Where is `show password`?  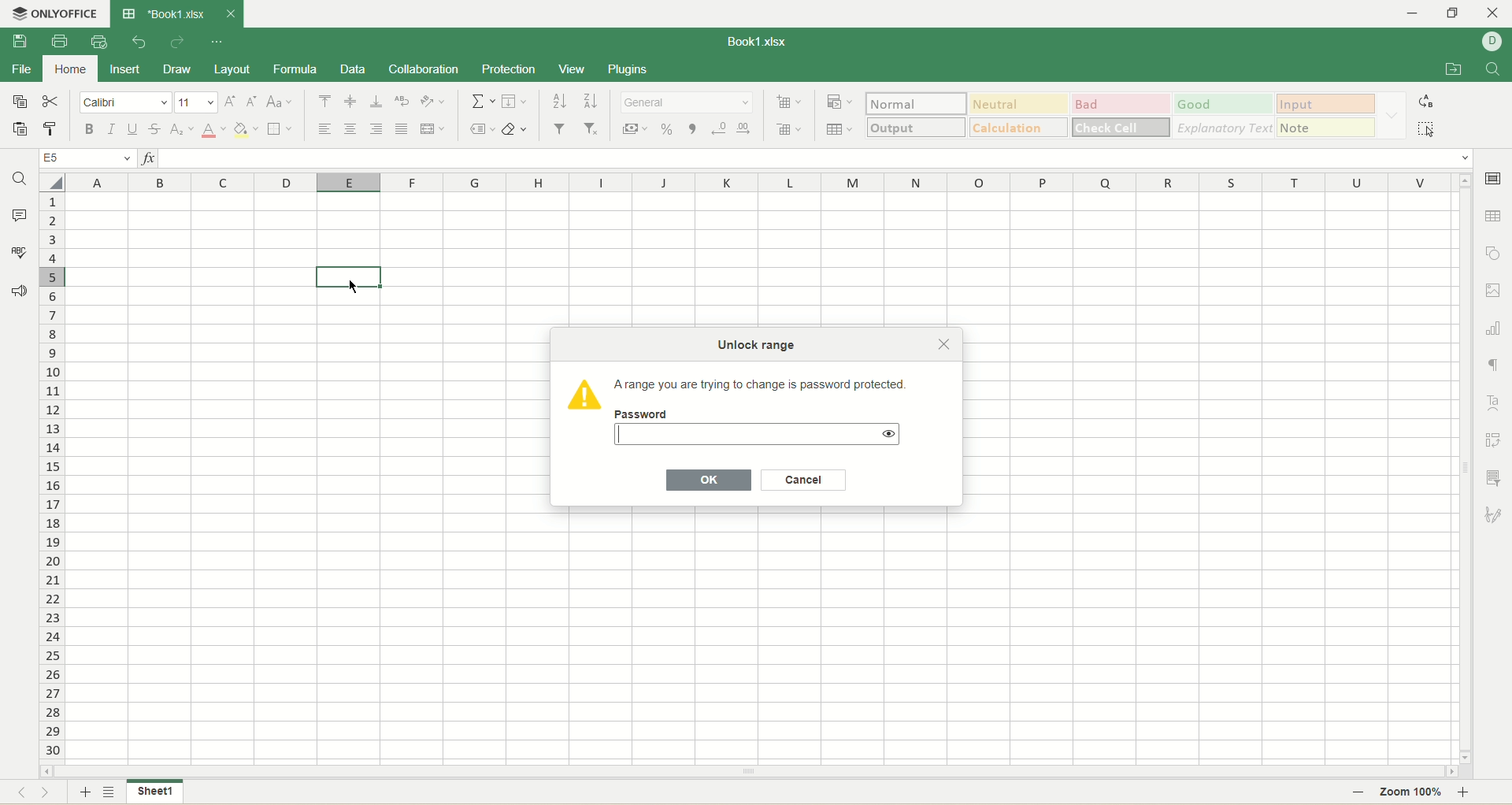 show password is located at coordinates (892, 434).